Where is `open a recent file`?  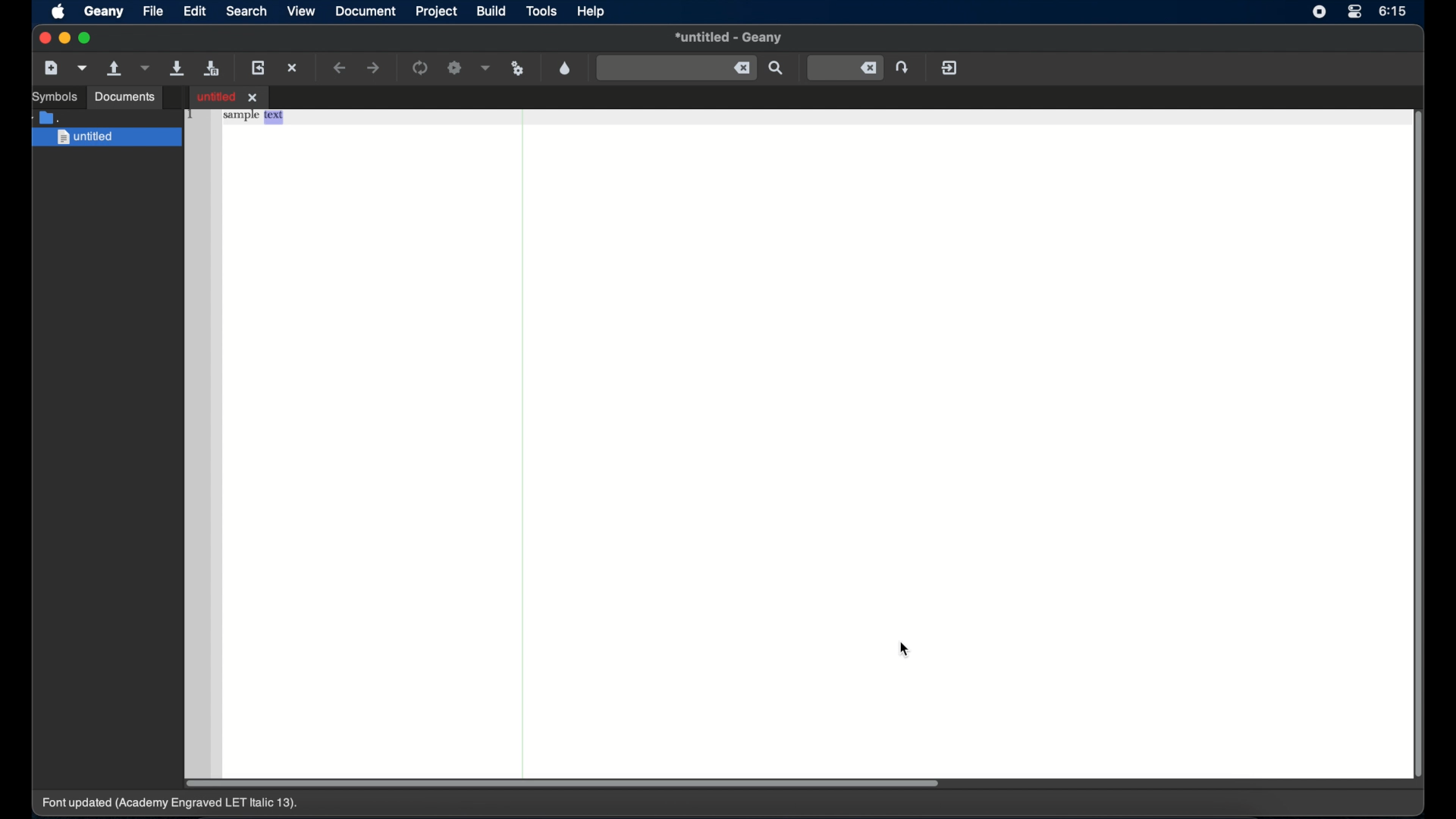
open a recent file is located at coordinates (146, 67).